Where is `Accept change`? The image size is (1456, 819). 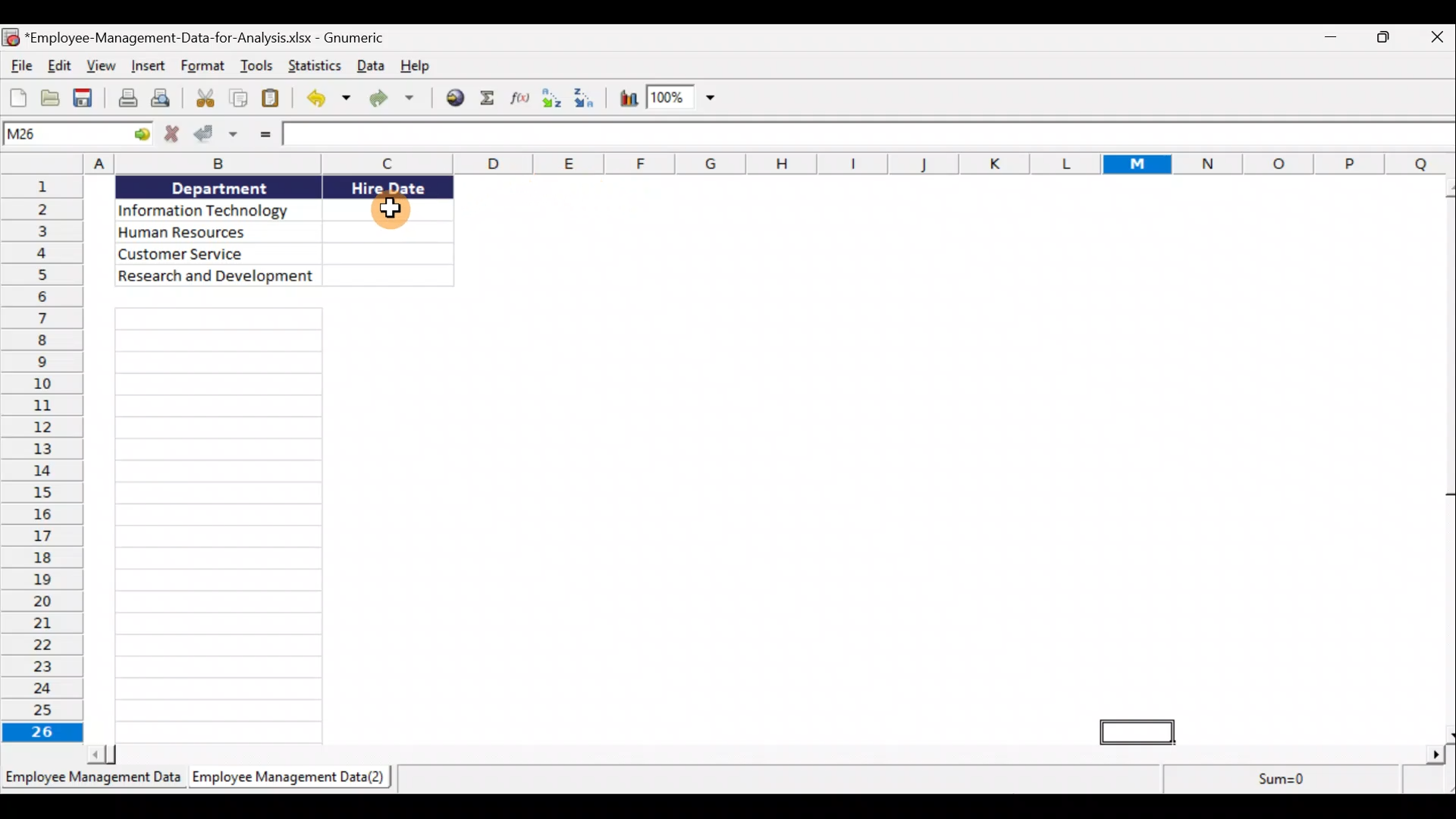 Accept change is located at coordinates (216, 137).